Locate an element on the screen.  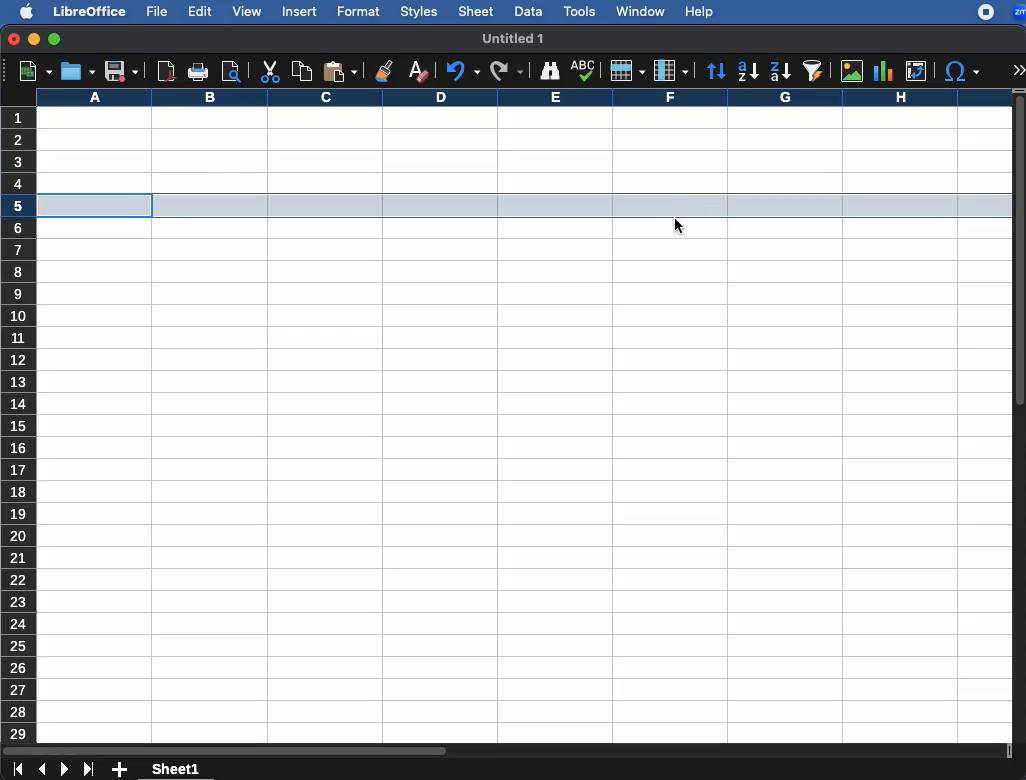
edit is located at coordinates (199, 12).